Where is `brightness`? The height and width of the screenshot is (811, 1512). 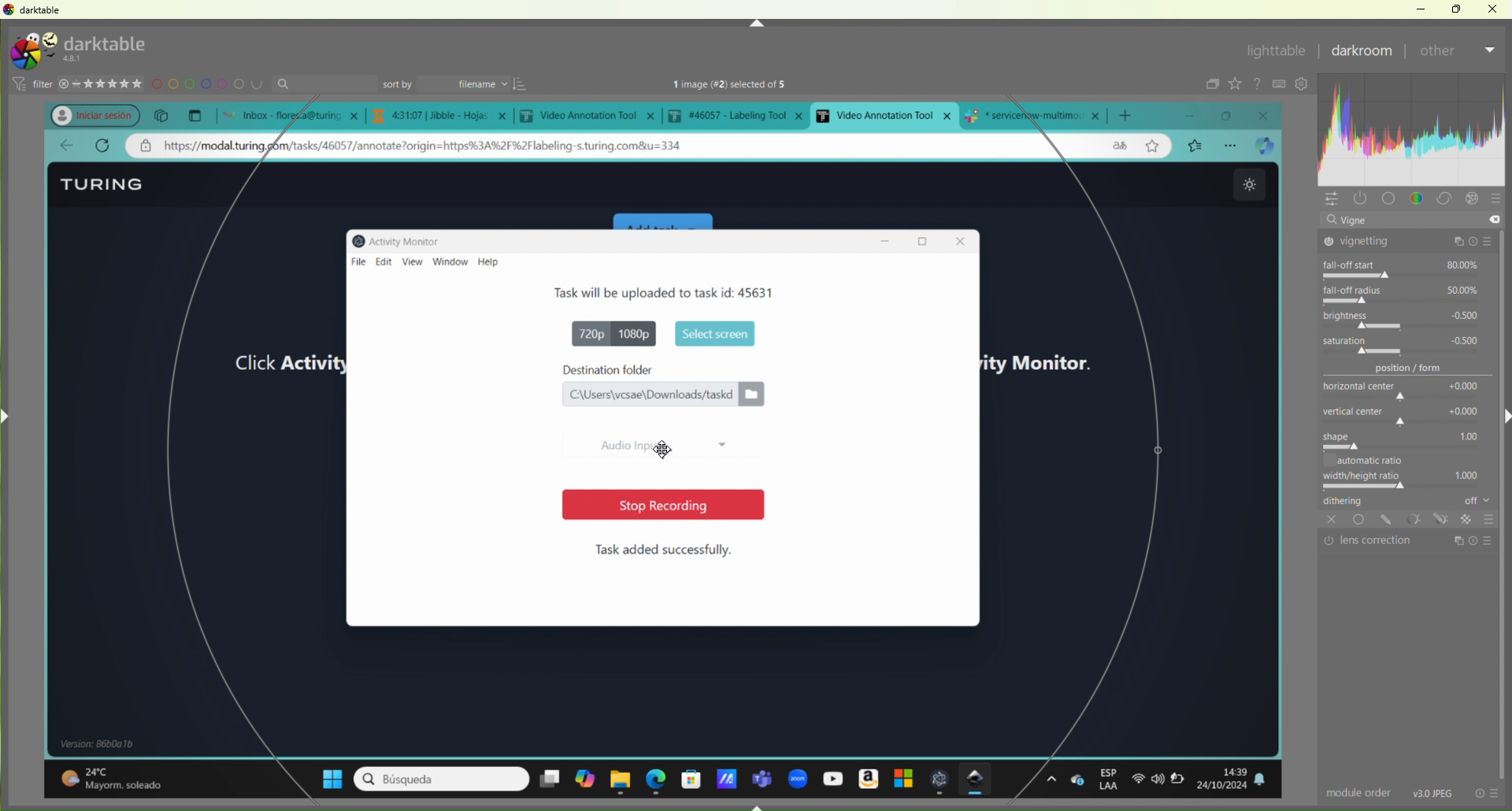 brightness is located at coordinates (1410, 319).